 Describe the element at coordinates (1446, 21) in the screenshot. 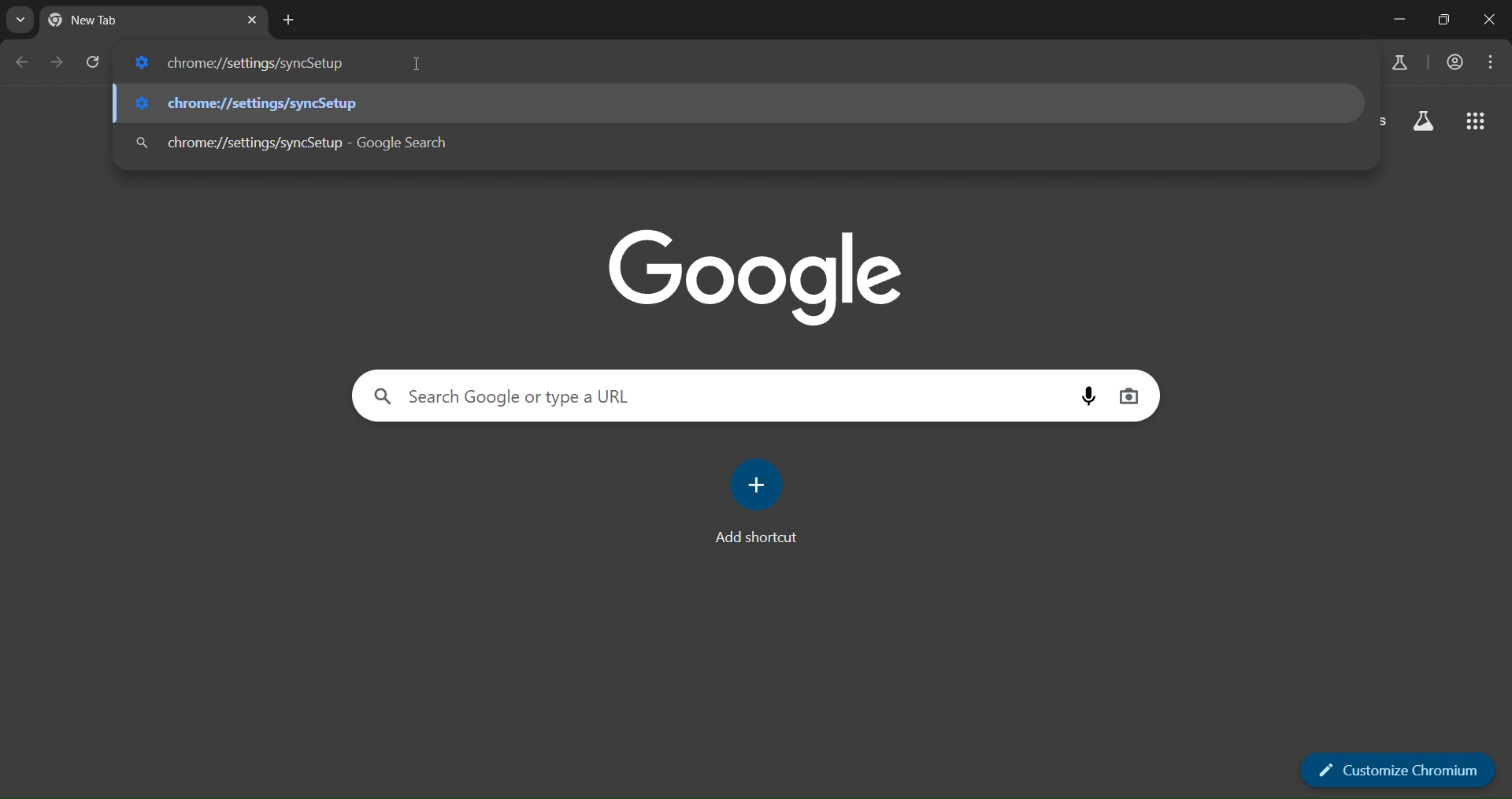

I see `restore down` at that location.